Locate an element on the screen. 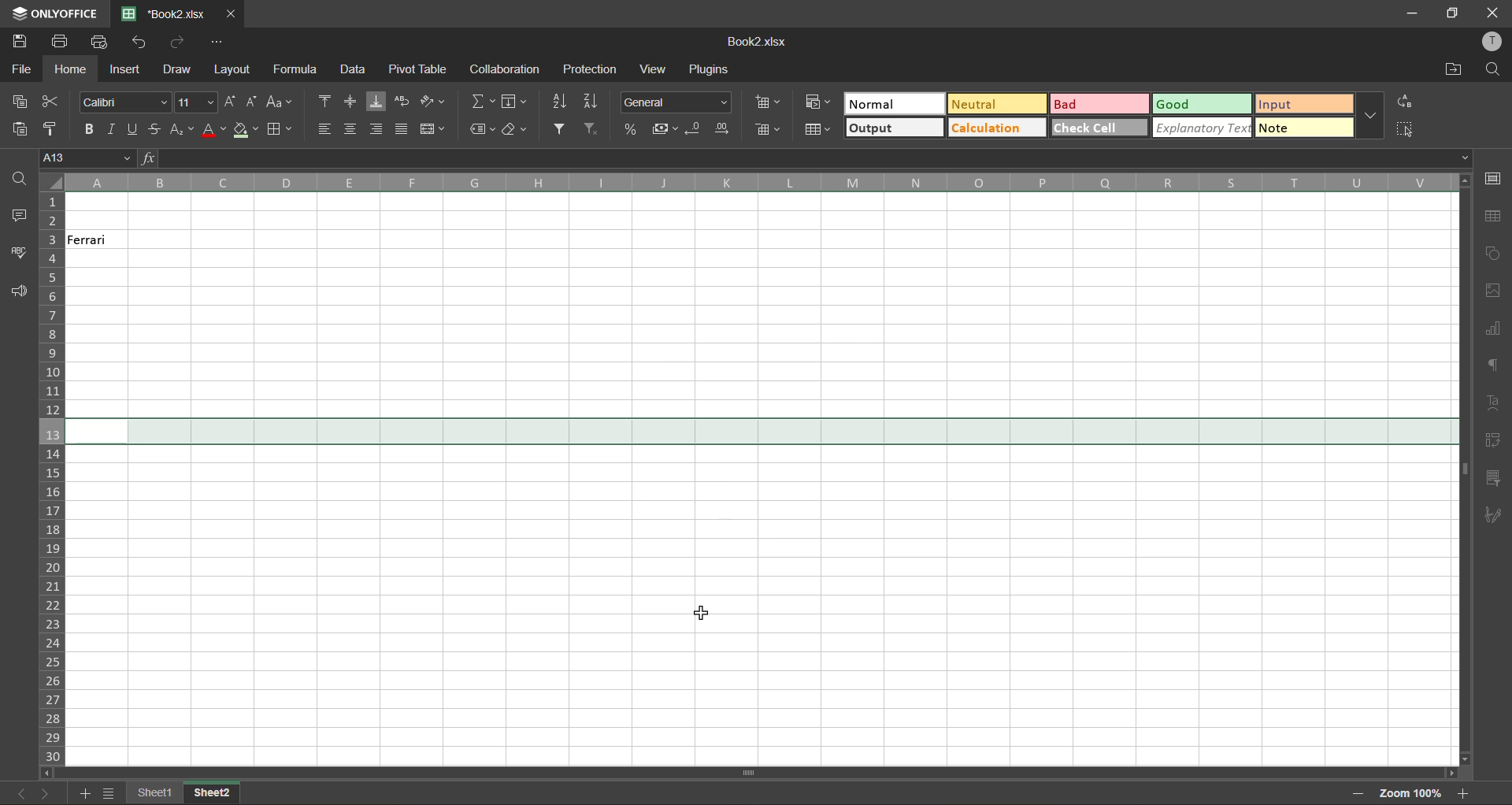 The image size is (1512, 805). profile is located at coordinates (1490, 42).